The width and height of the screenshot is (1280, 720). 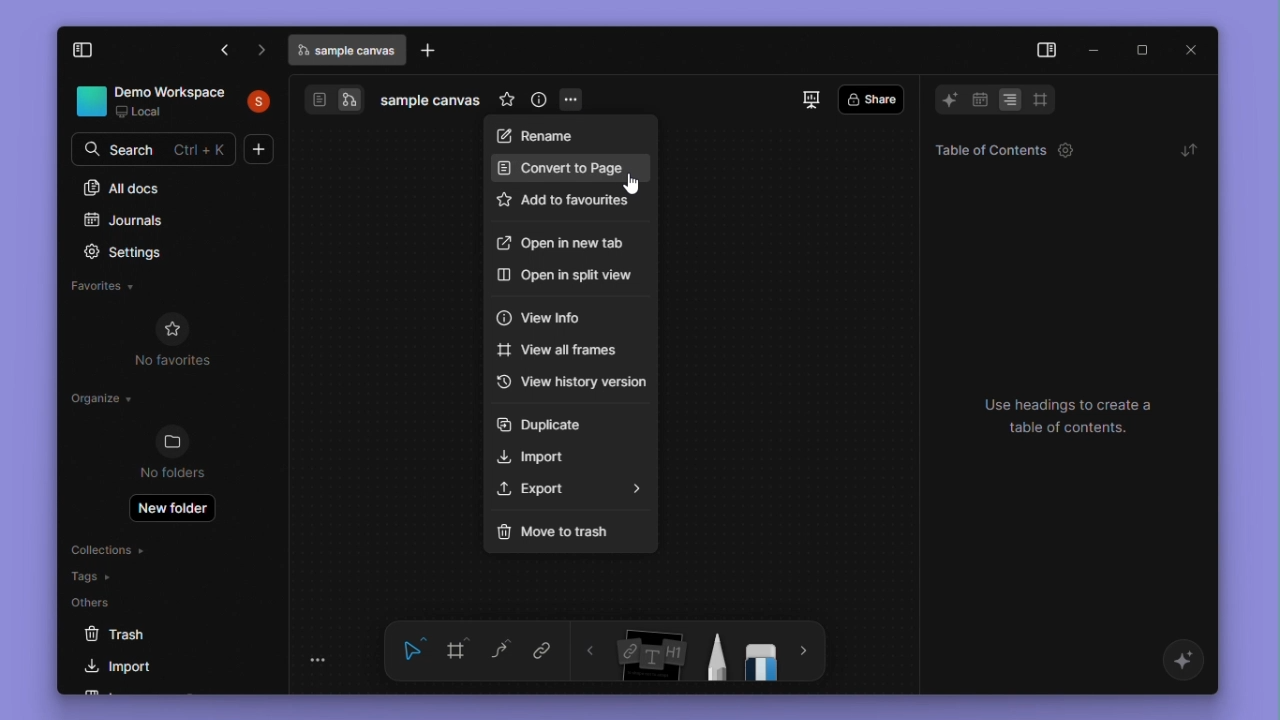 What do you see at coordinates (571, 382) in the screenshot?
I see `View history version` at bounding box center [571, 382].